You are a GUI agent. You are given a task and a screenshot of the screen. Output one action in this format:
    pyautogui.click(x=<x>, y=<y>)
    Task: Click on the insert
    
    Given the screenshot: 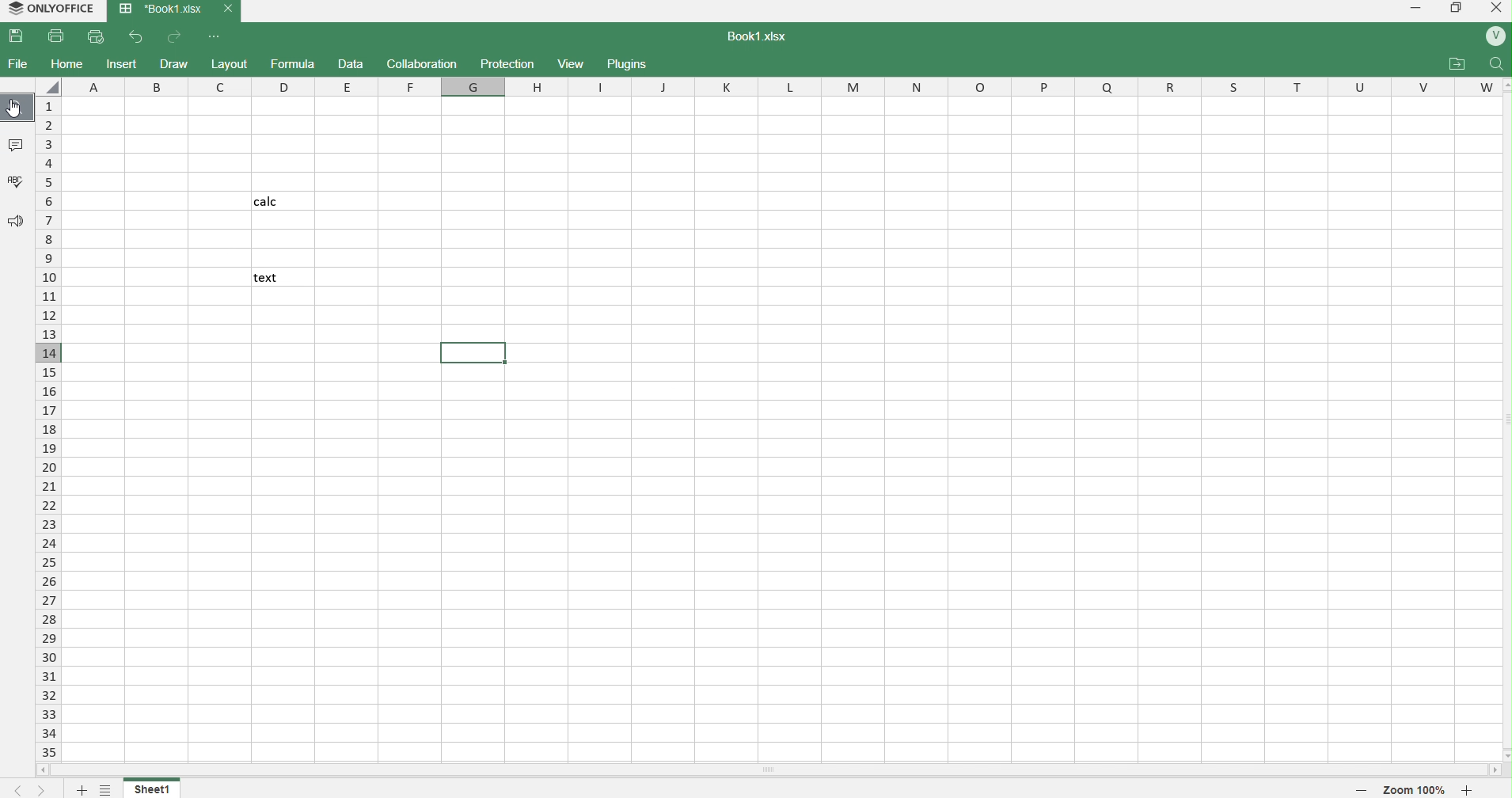 What is the action you would take?
    pyautogui.click(x=124, y=64)
    